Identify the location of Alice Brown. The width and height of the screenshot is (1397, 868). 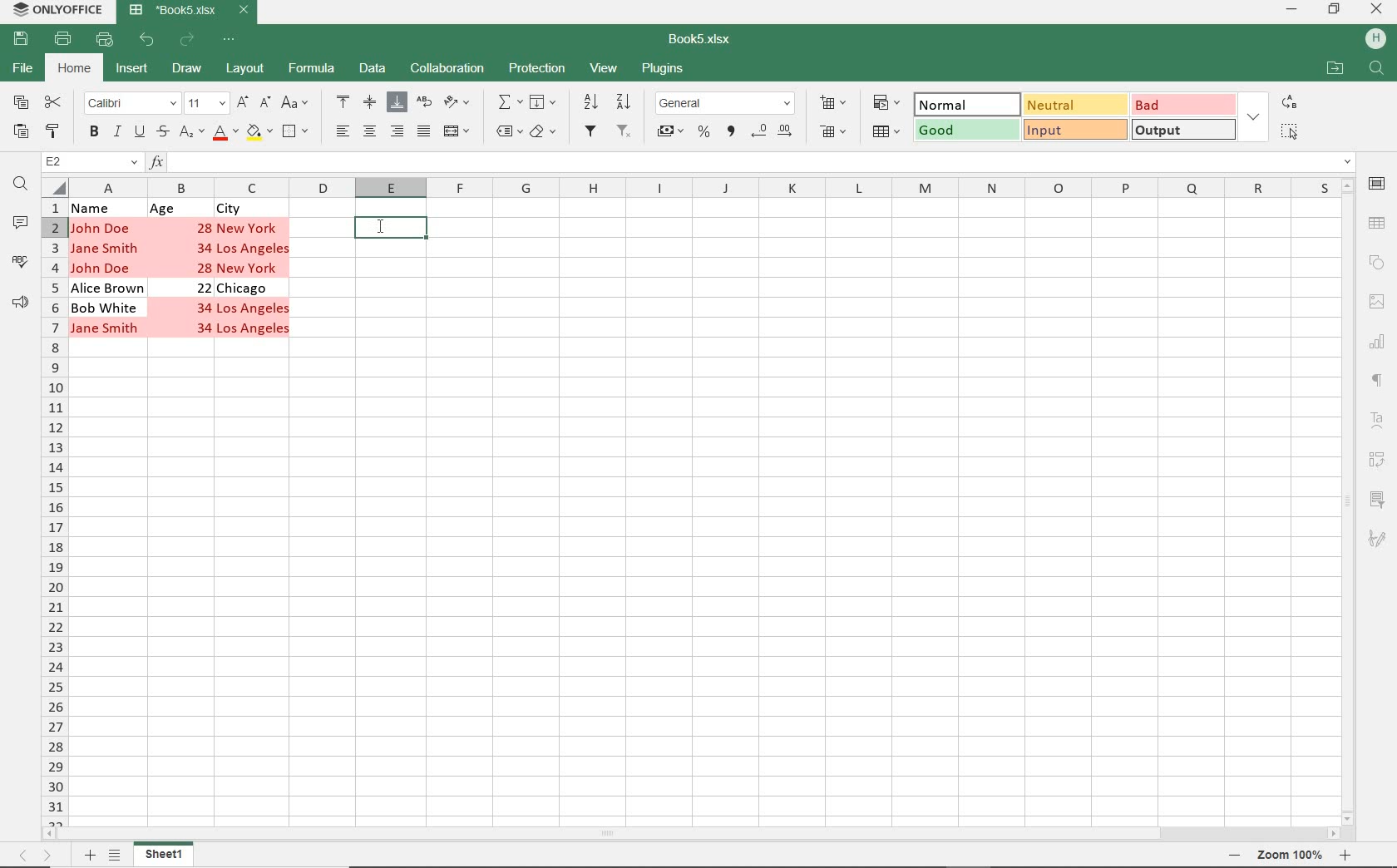
(111, 289).